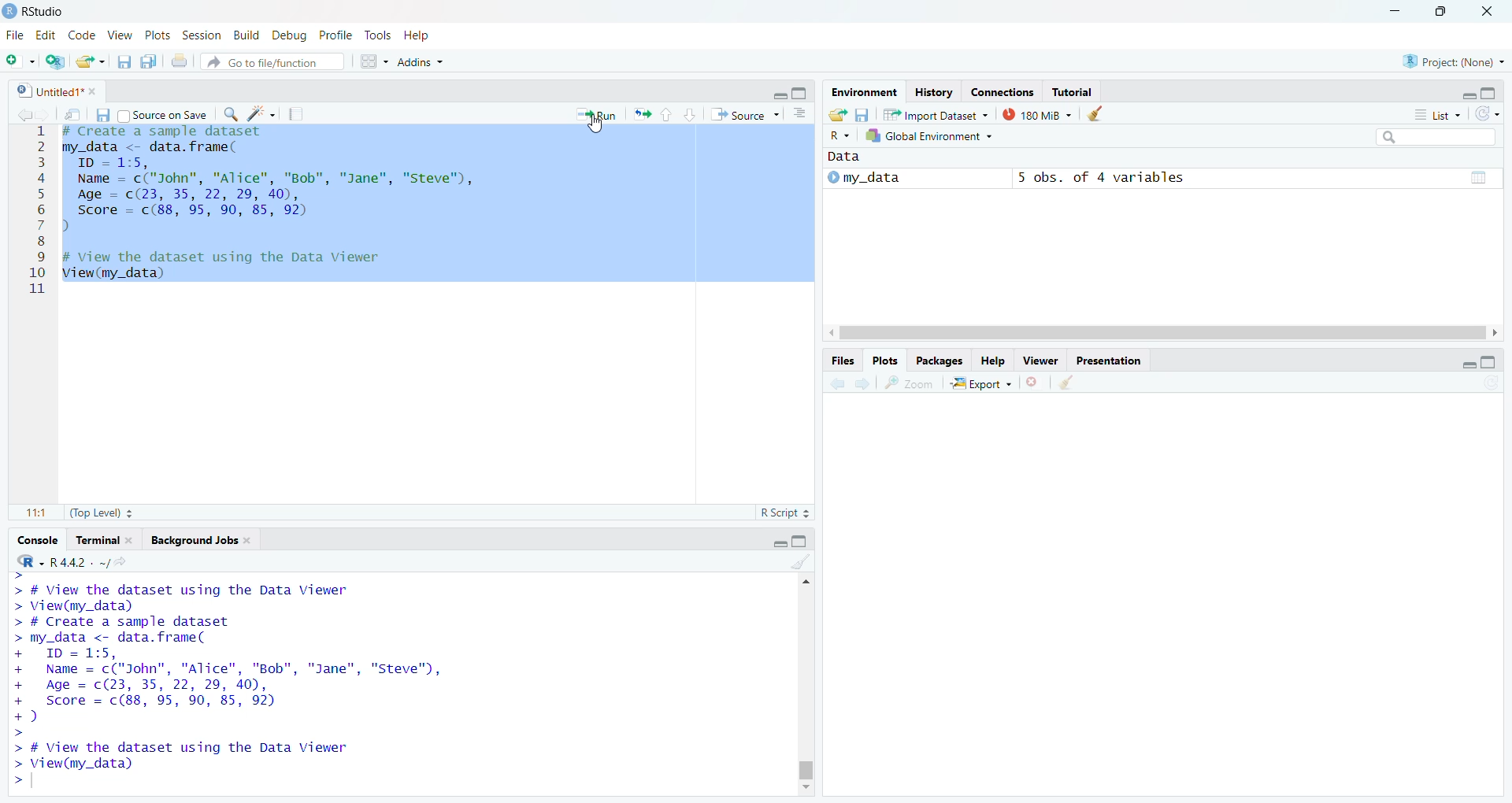 Image resolution: width=1512 pixels, height=803 pixels. I want to click on Maximize, so click(1492, 364).